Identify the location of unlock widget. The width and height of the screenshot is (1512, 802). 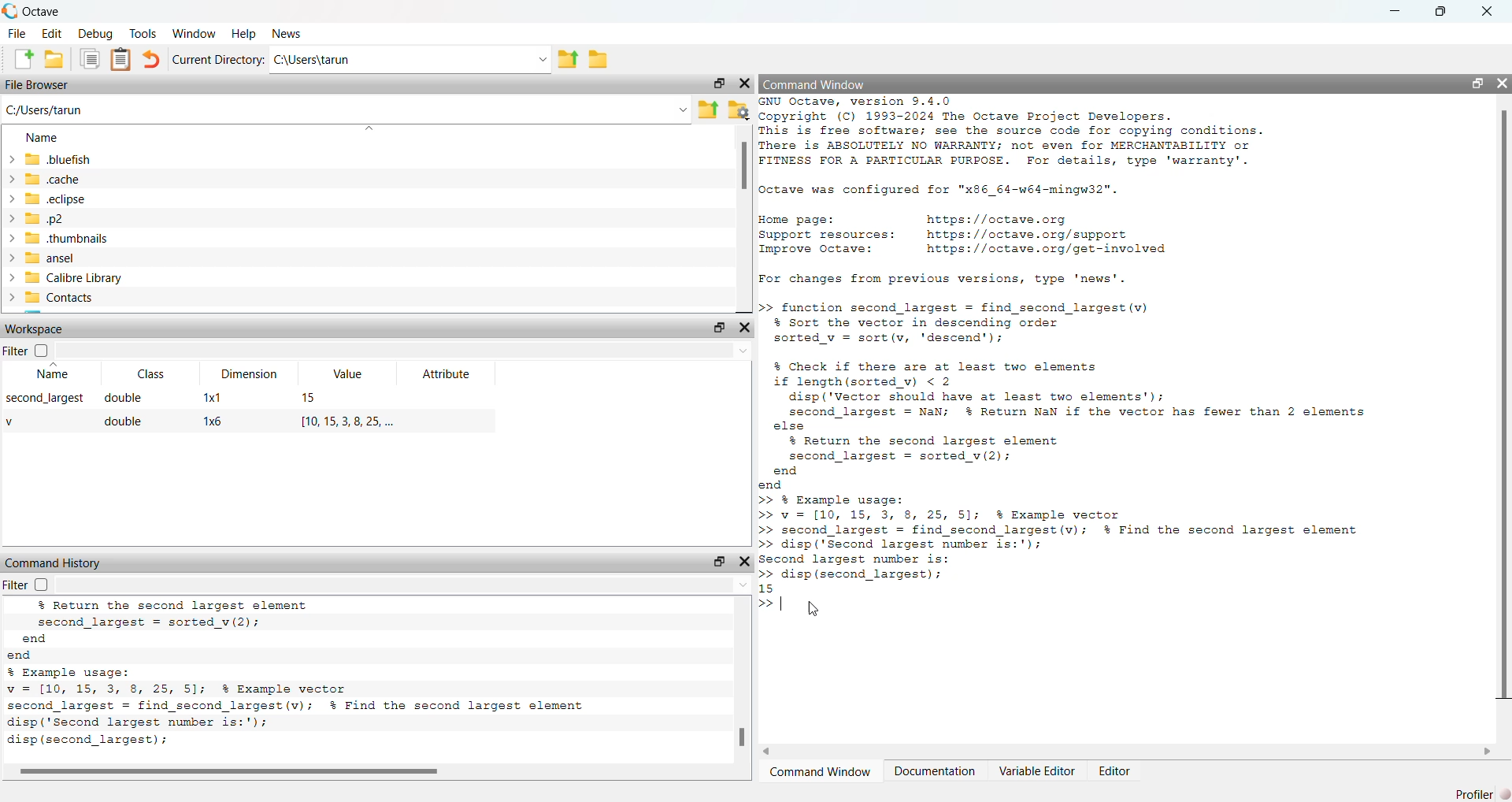
(1479, 83).